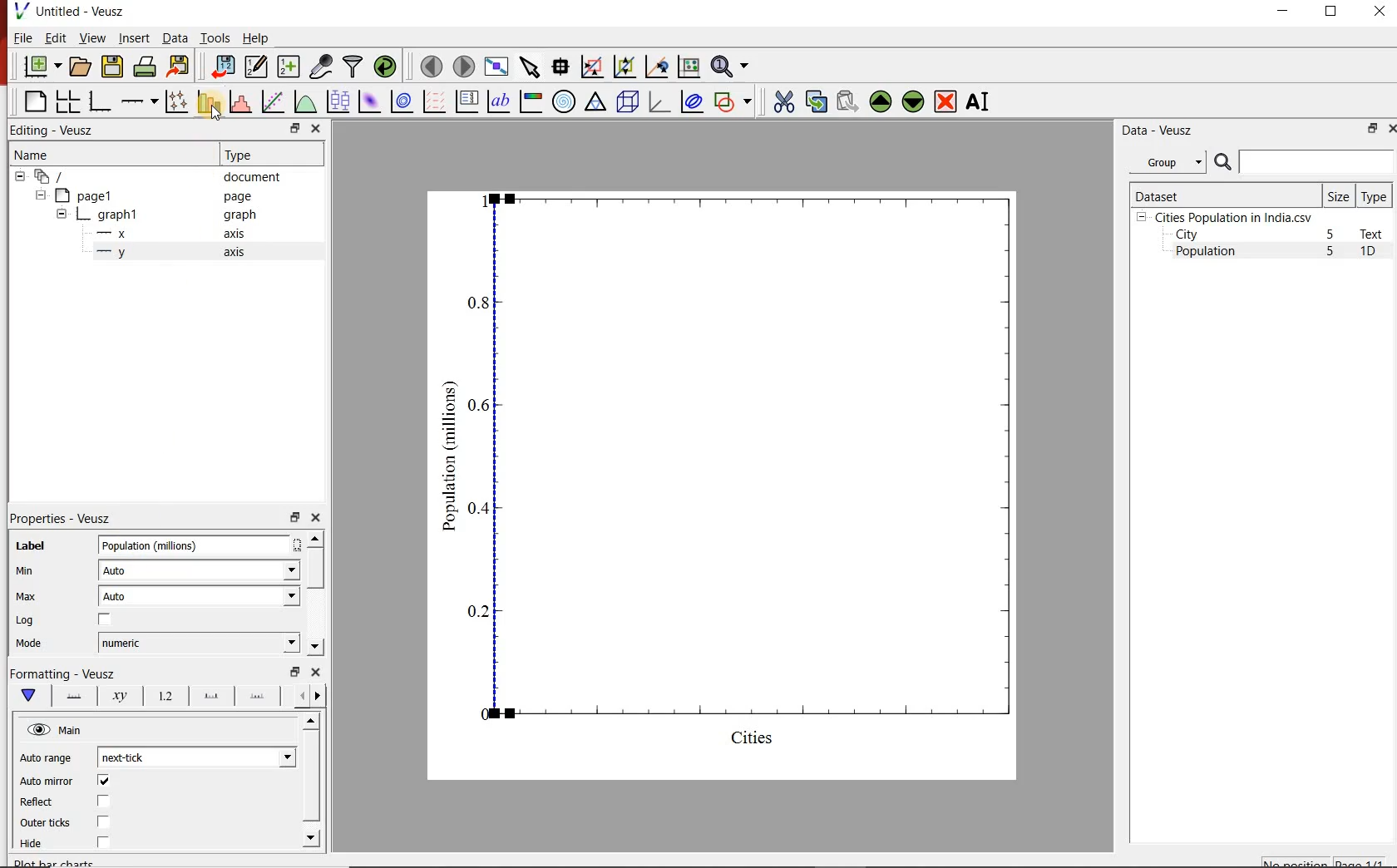 This screenshot has width=1397, height=868. I want to click on restore, so click(294, 128).